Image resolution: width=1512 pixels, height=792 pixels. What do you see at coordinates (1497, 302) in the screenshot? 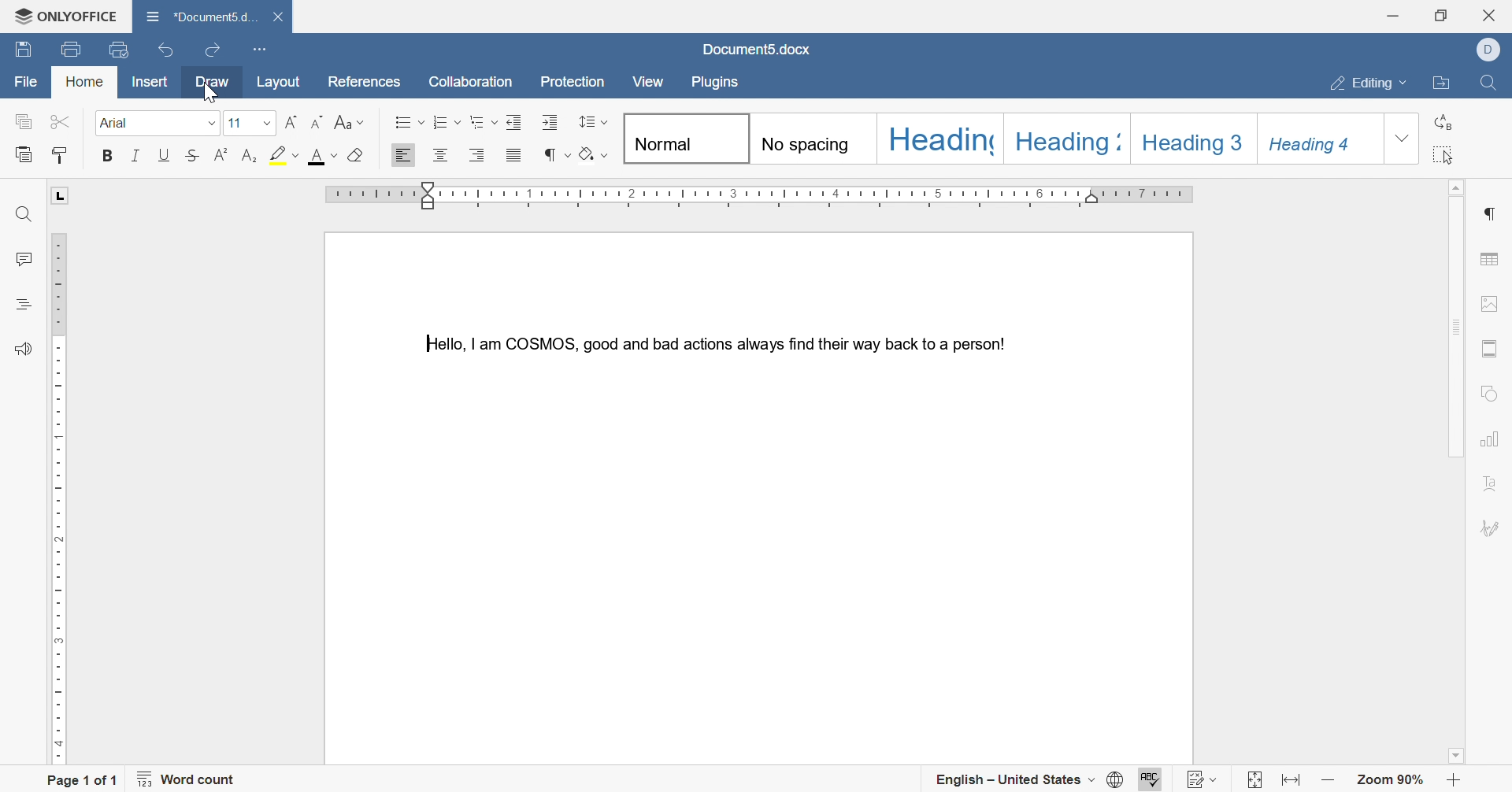
I see `image settings` at bounding box center [1497, 302].